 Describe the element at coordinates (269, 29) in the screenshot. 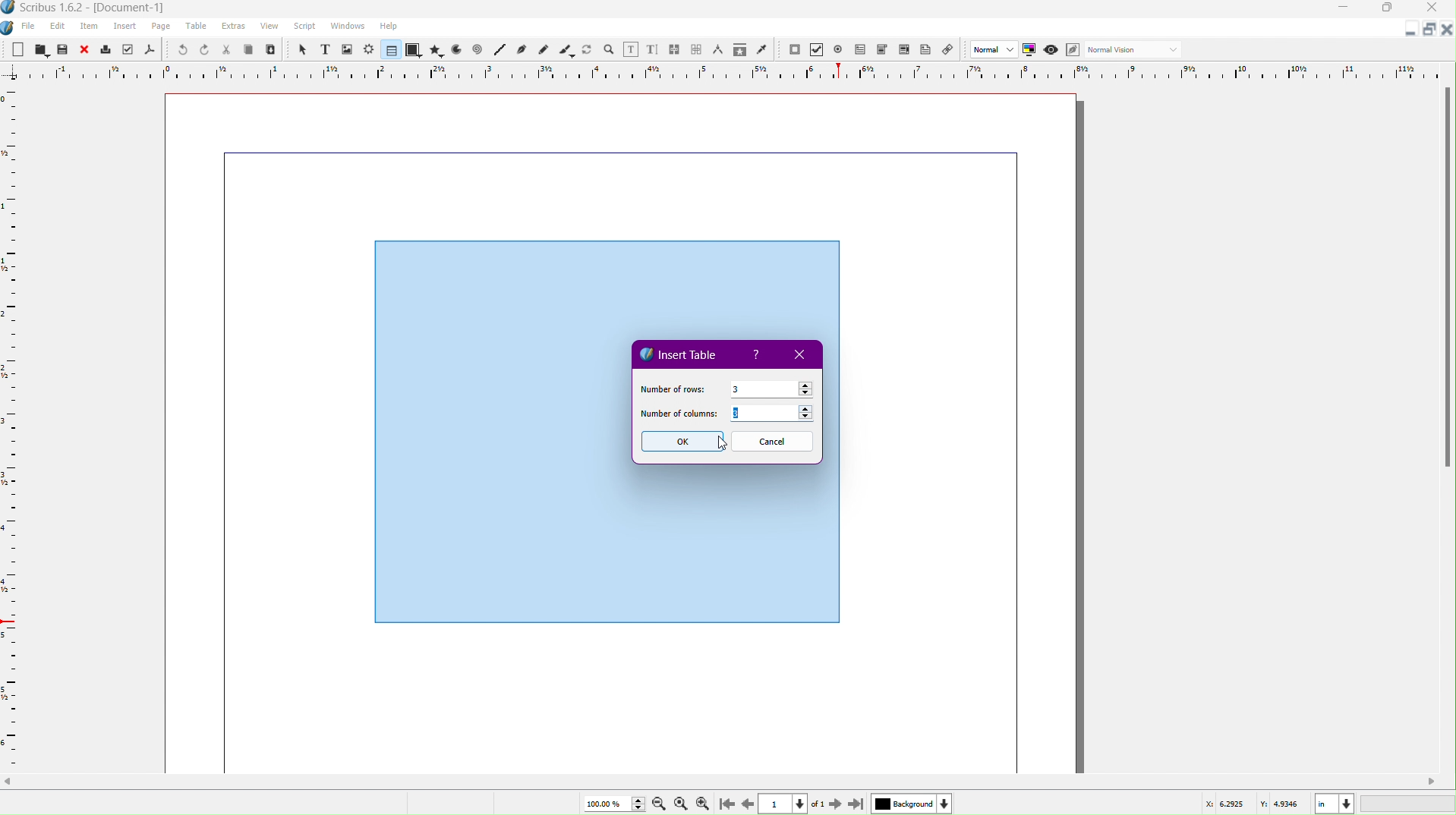

I see `View` at that location.